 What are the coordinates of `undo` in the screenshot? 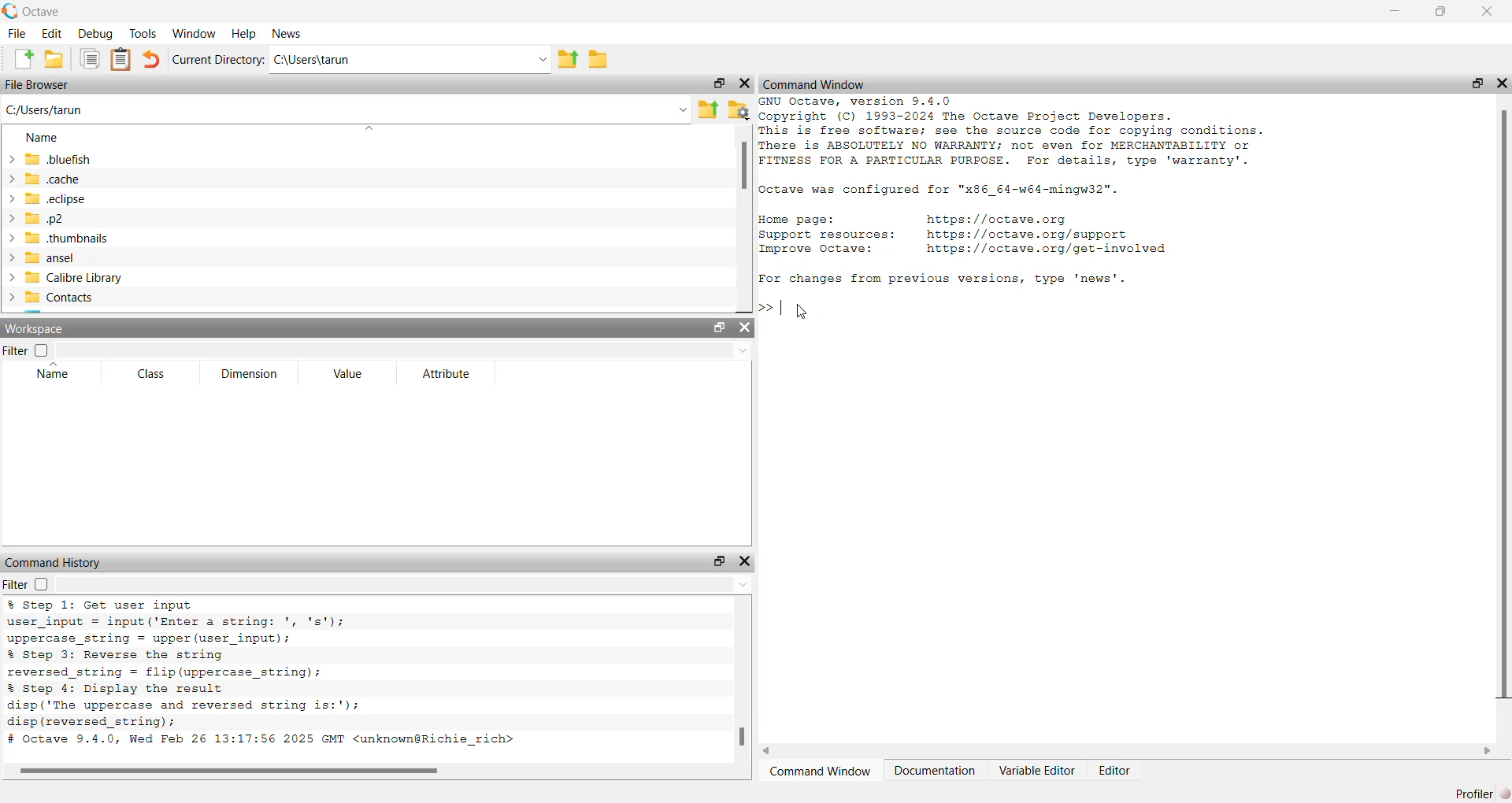 It's located at (150, 61).